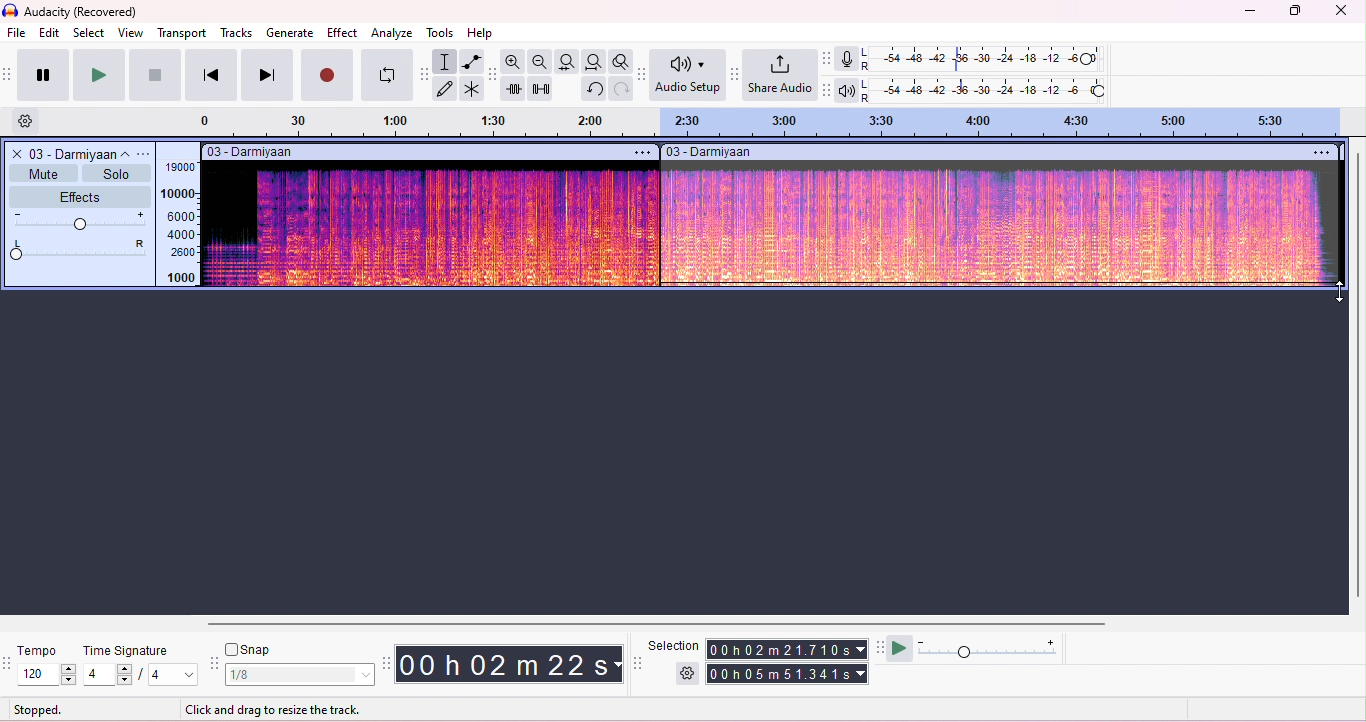 The width and height of the screenshot is (1366, 722). I want to click on tempo toll bar, so click(9, 661).